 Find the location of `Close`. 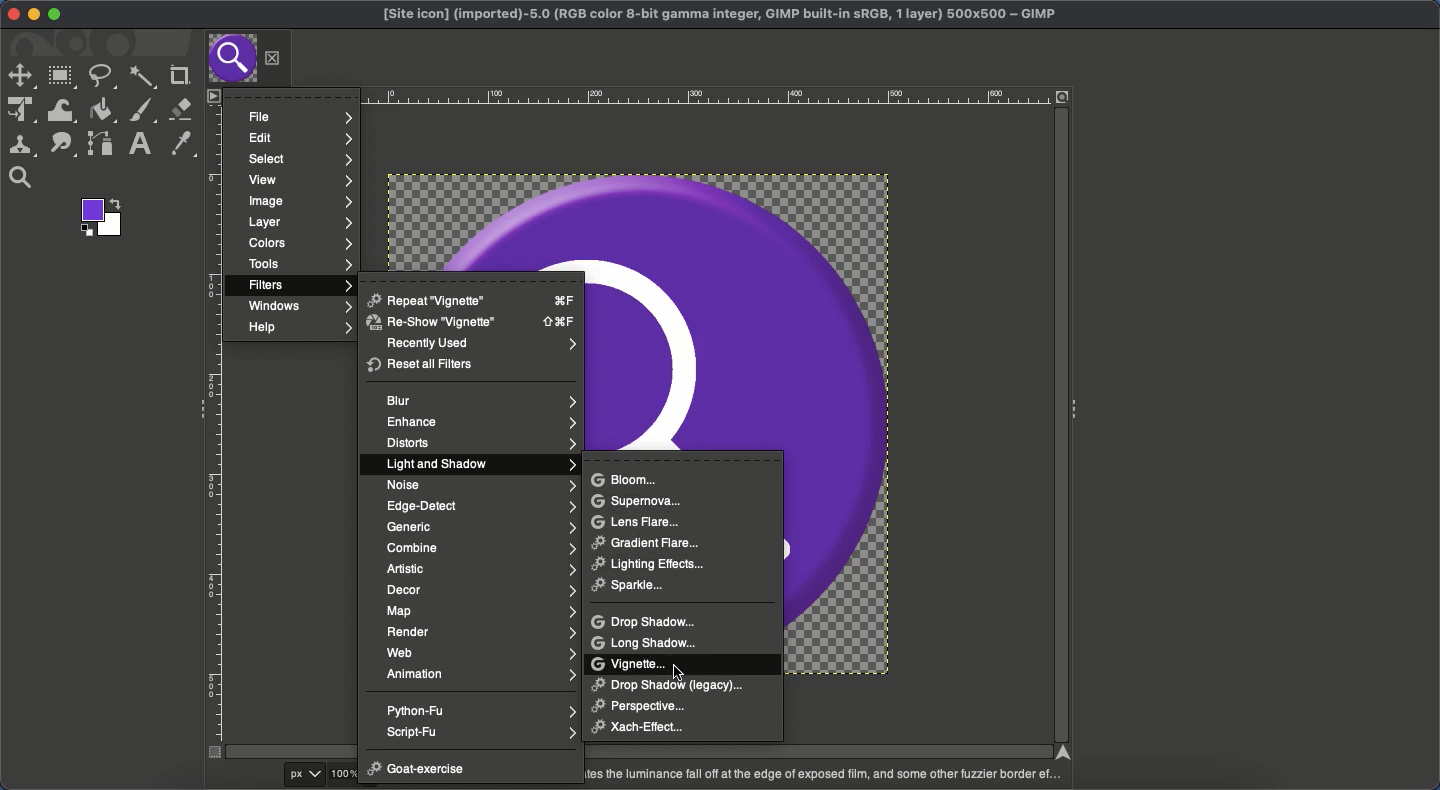

Close is located at coordinates (9, 14).